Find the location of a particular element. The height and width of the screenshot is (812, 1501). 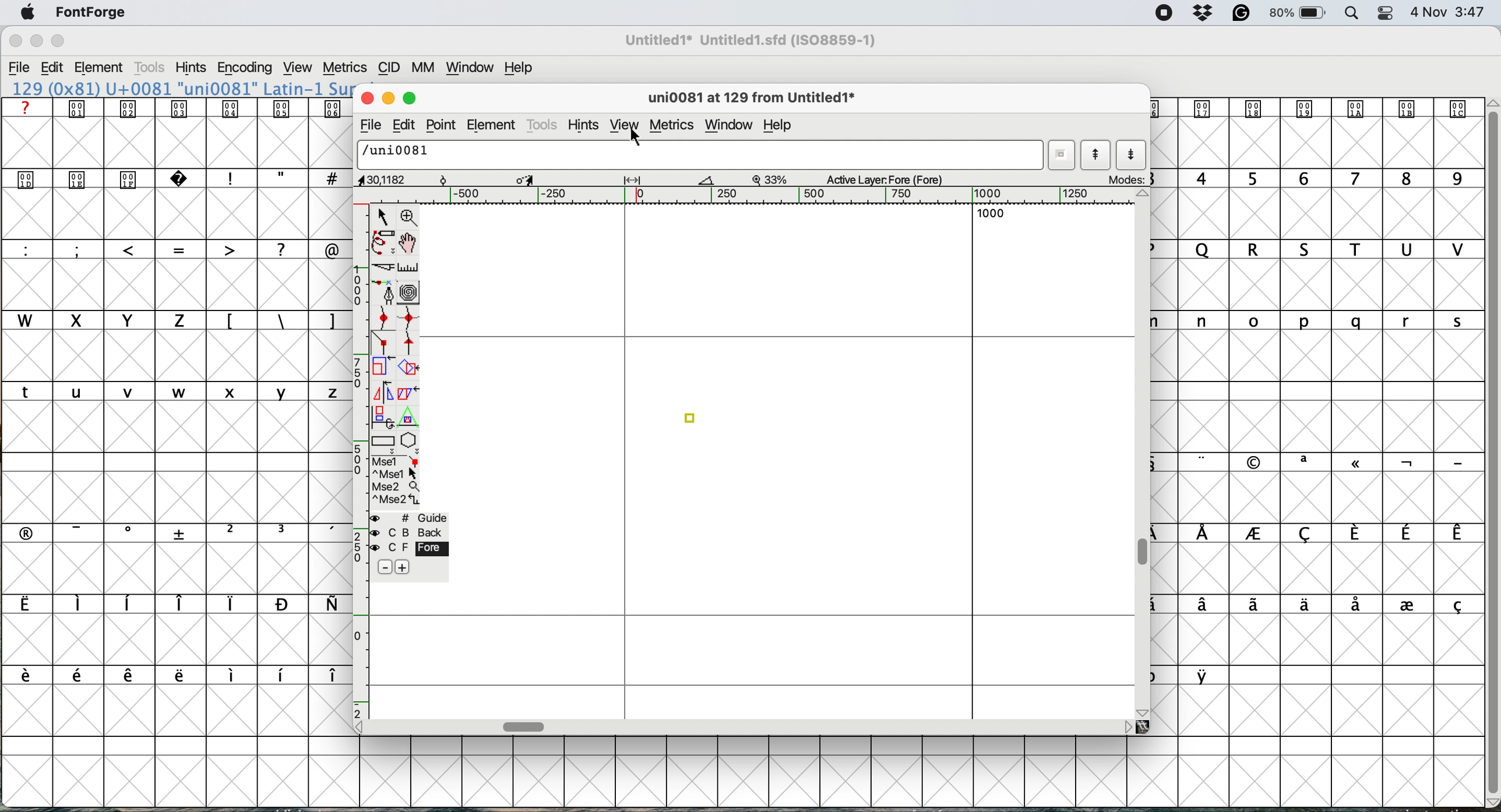

Apple menu is located at coordinates (27, 13).